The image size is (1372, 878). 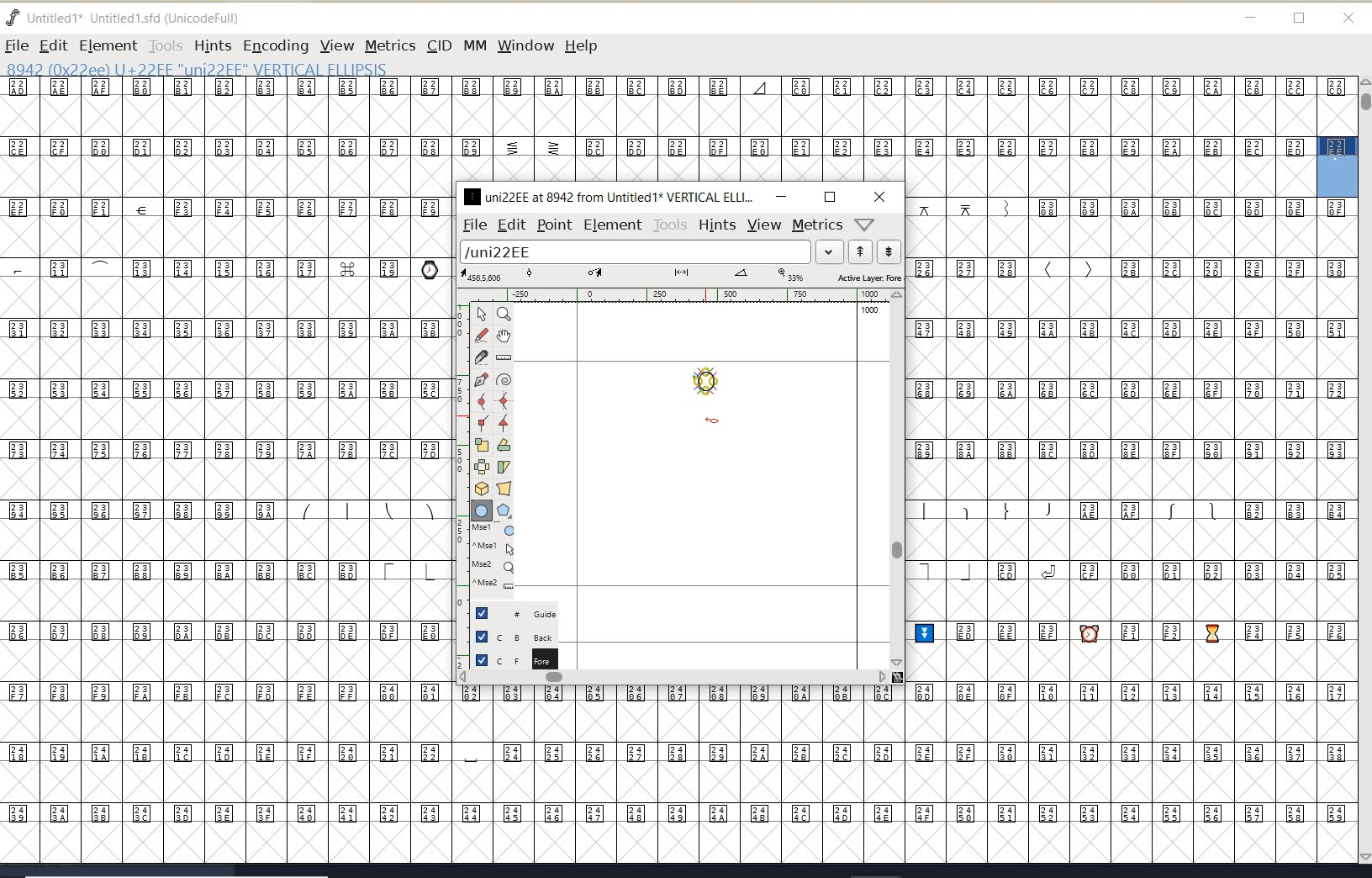 What do you see at coordinates (781, 196) in the screenshot?
I see `minimize` at bounding box center [781, 196].